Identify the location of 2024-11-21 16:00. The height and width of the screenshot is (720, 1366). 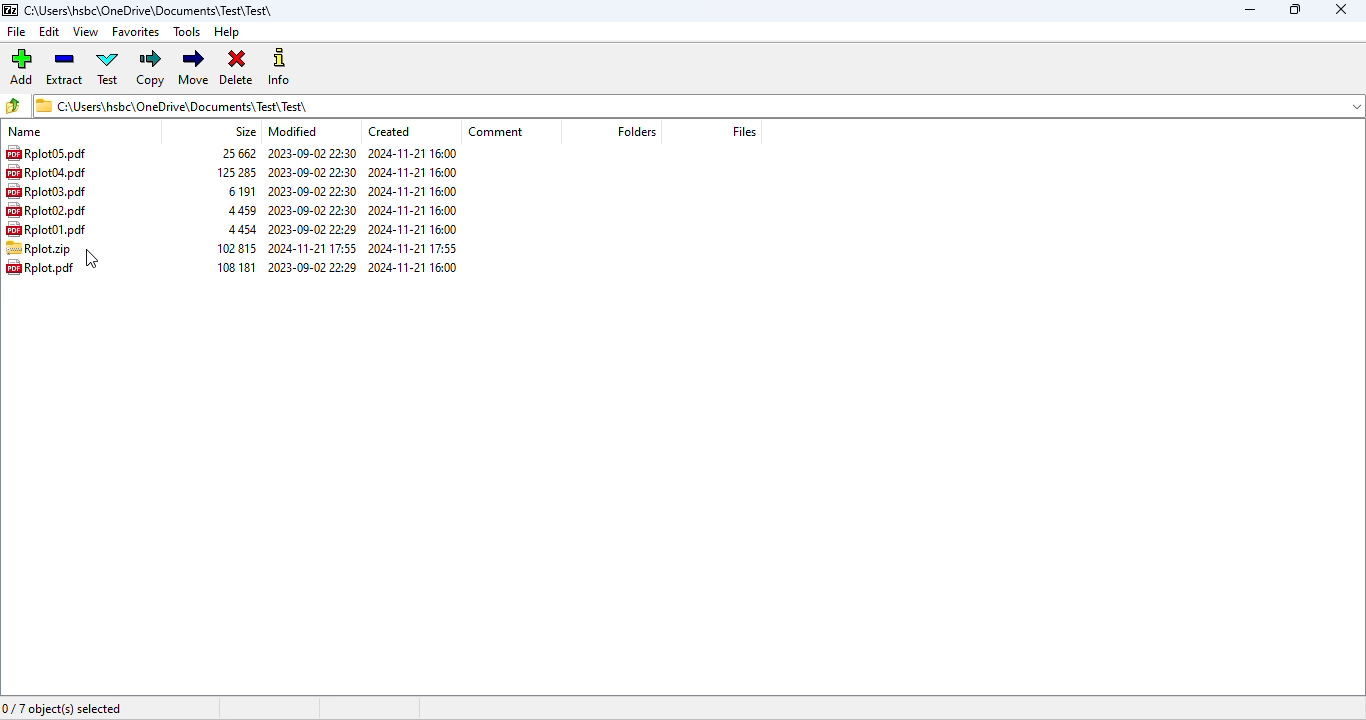
(415, 269).